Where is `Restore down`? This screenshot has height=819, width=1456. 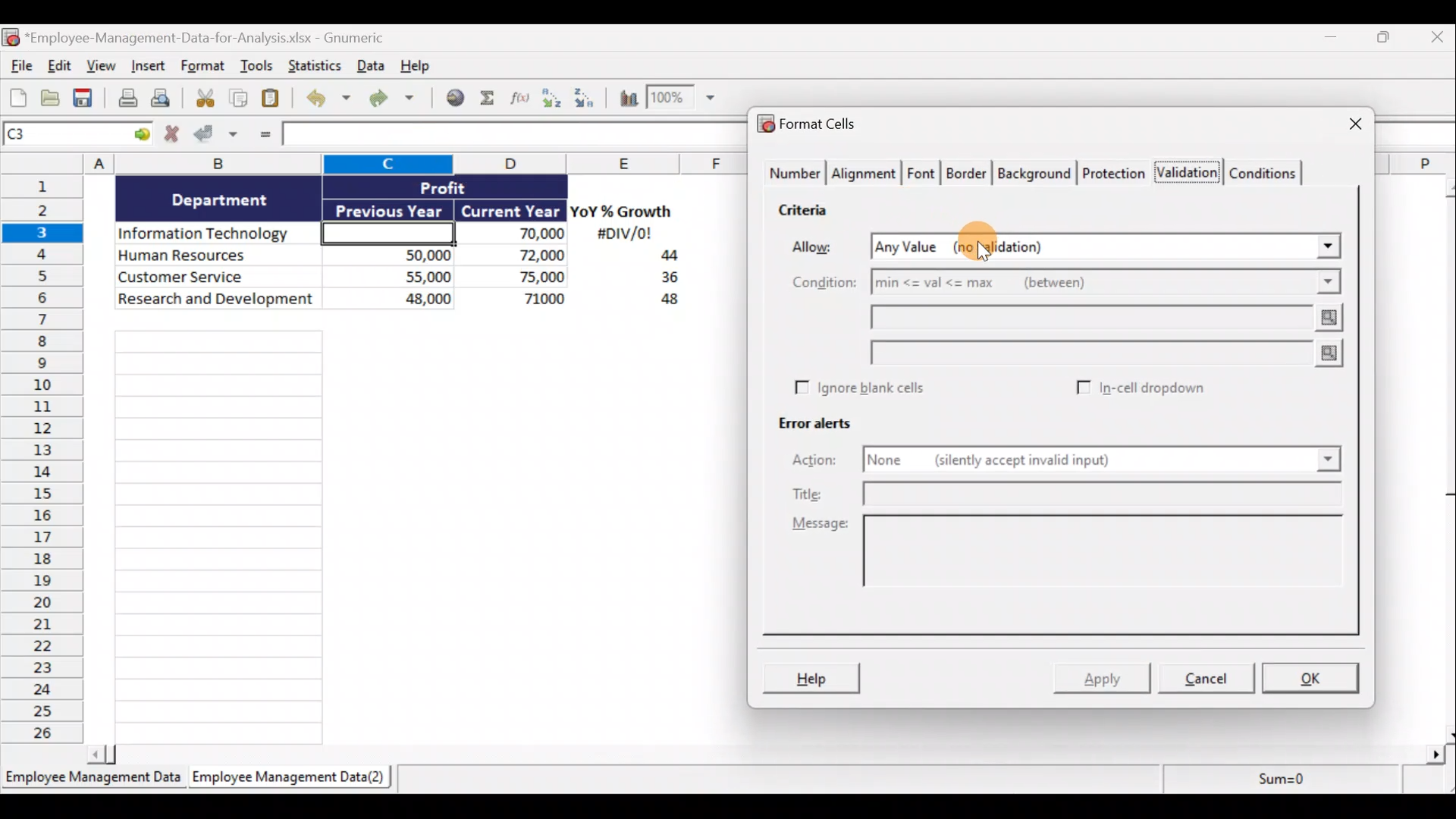
Restore down is located at coordinates (1385, 41).